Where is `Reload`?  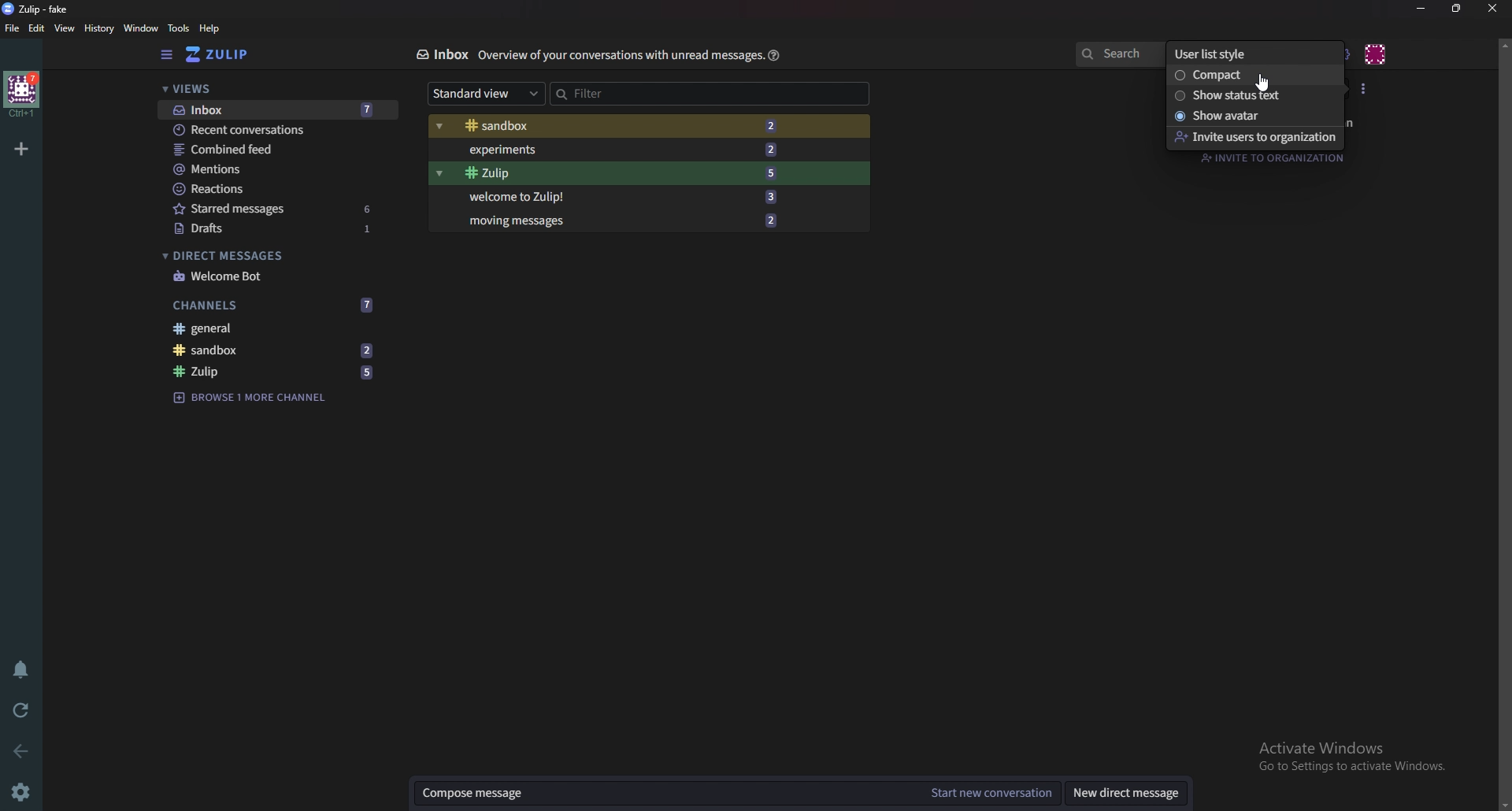
Reload is located at coordinates (21, 709).